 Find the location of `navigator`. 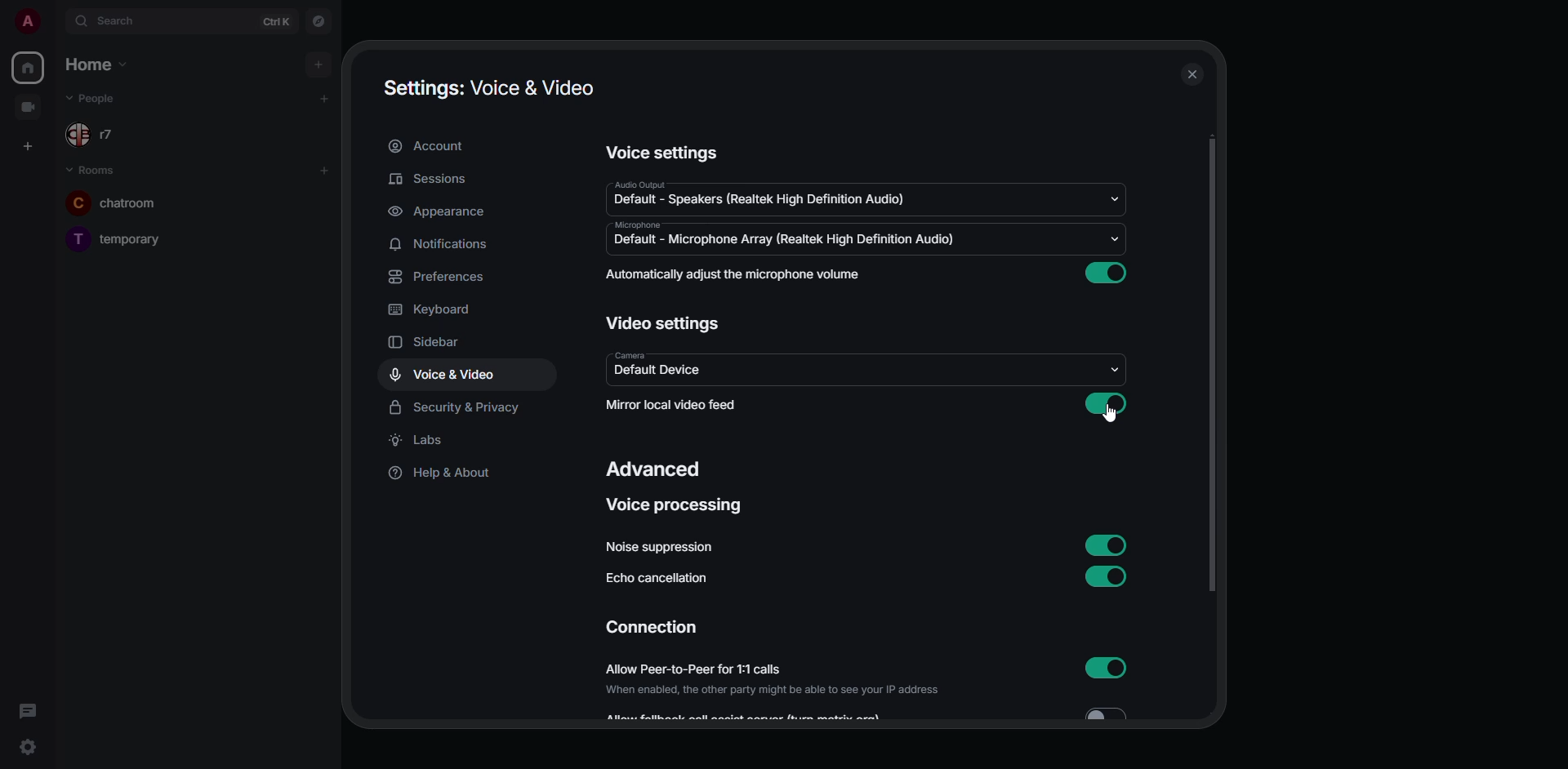

navigator is located at coordinates (319, 21).